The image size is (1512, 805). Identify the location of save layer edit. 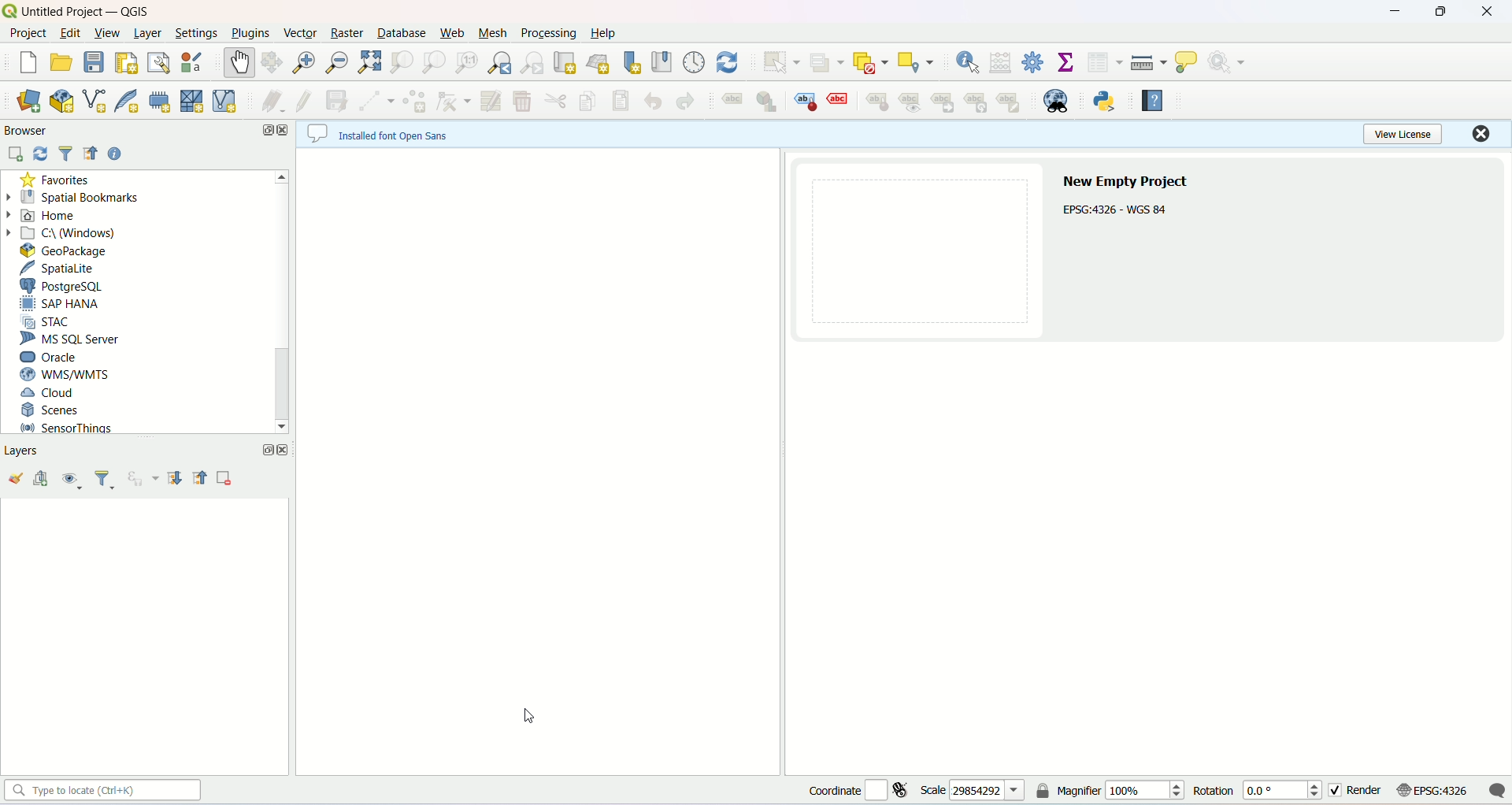
(336, 102).